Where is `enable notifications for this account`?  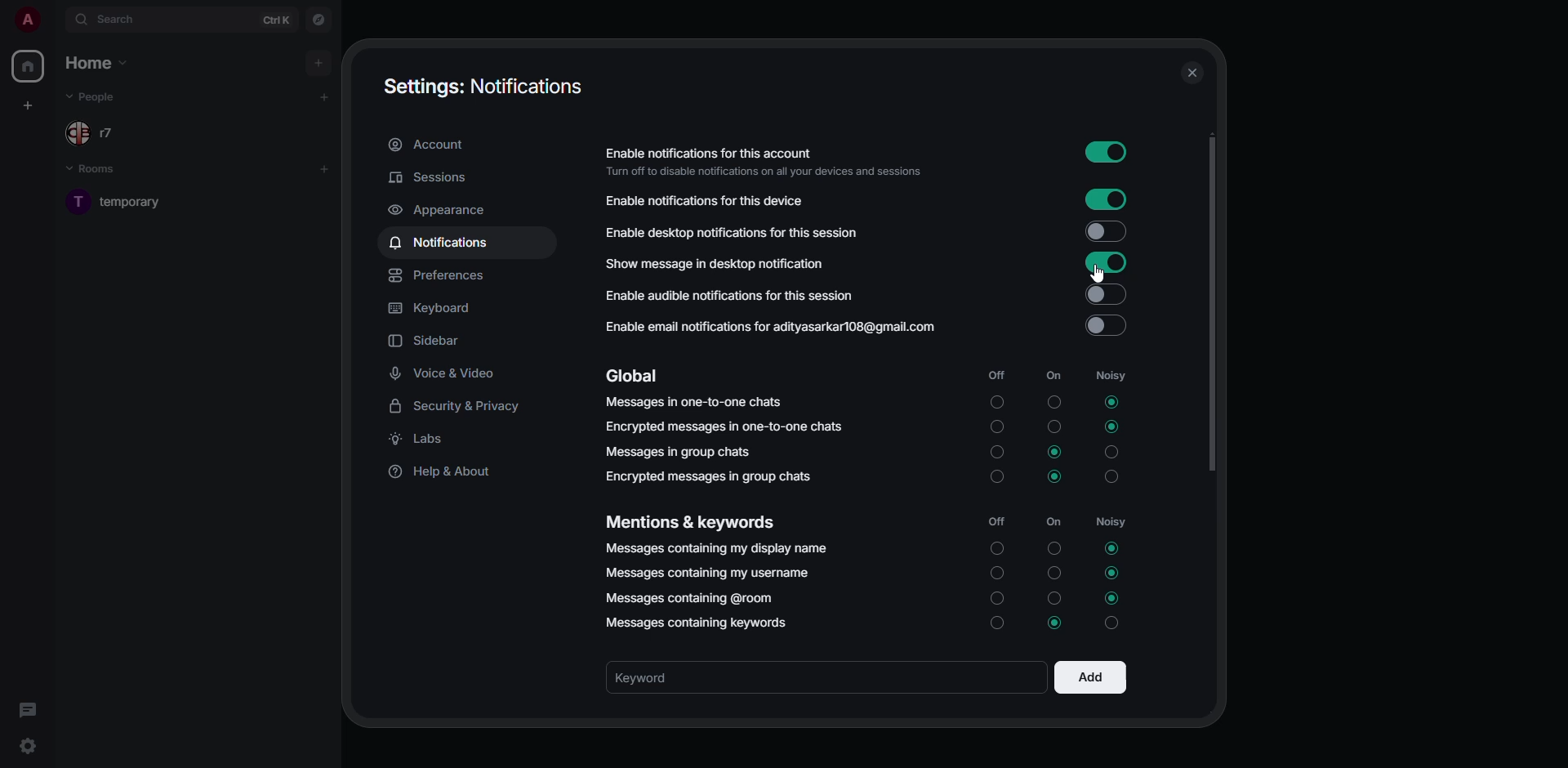
enable notifications for this account is located at coordinates (761, 162).